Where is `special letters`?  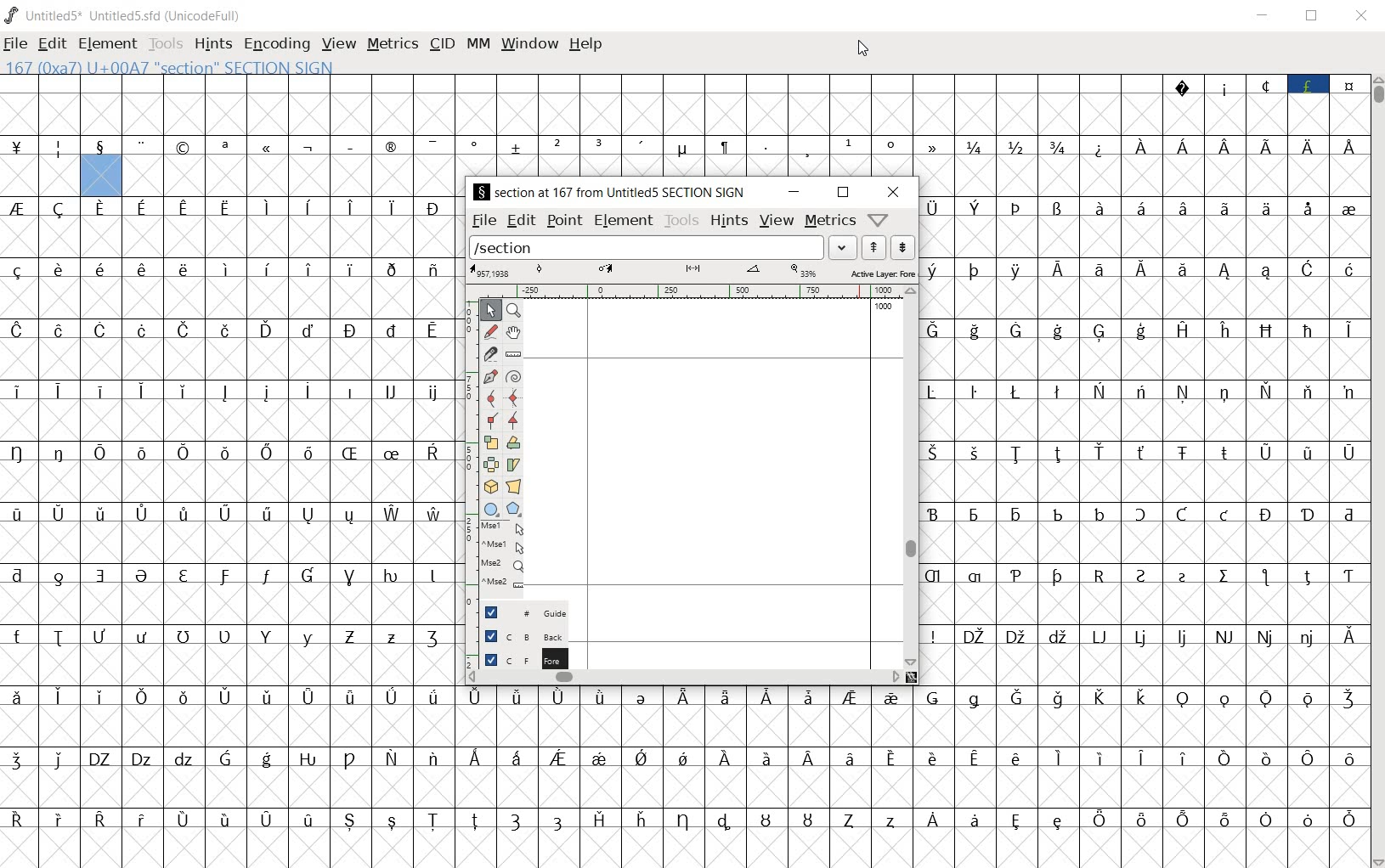
special letters is located at coordinates (1241, 146).